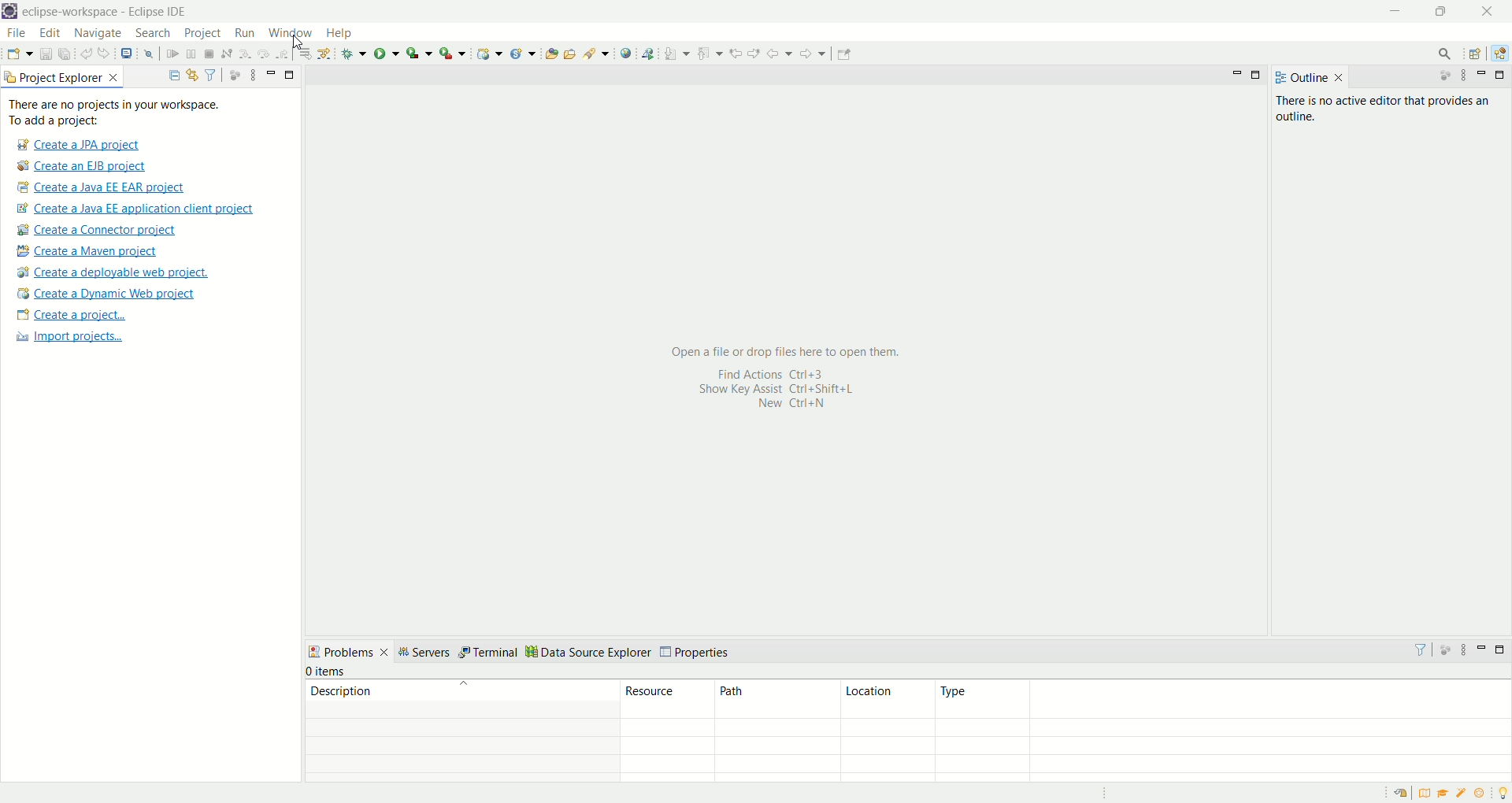  What do you see at coordinates (98, 34) in the screenshot?
I see `navigate` at bounding box center [98, 34].